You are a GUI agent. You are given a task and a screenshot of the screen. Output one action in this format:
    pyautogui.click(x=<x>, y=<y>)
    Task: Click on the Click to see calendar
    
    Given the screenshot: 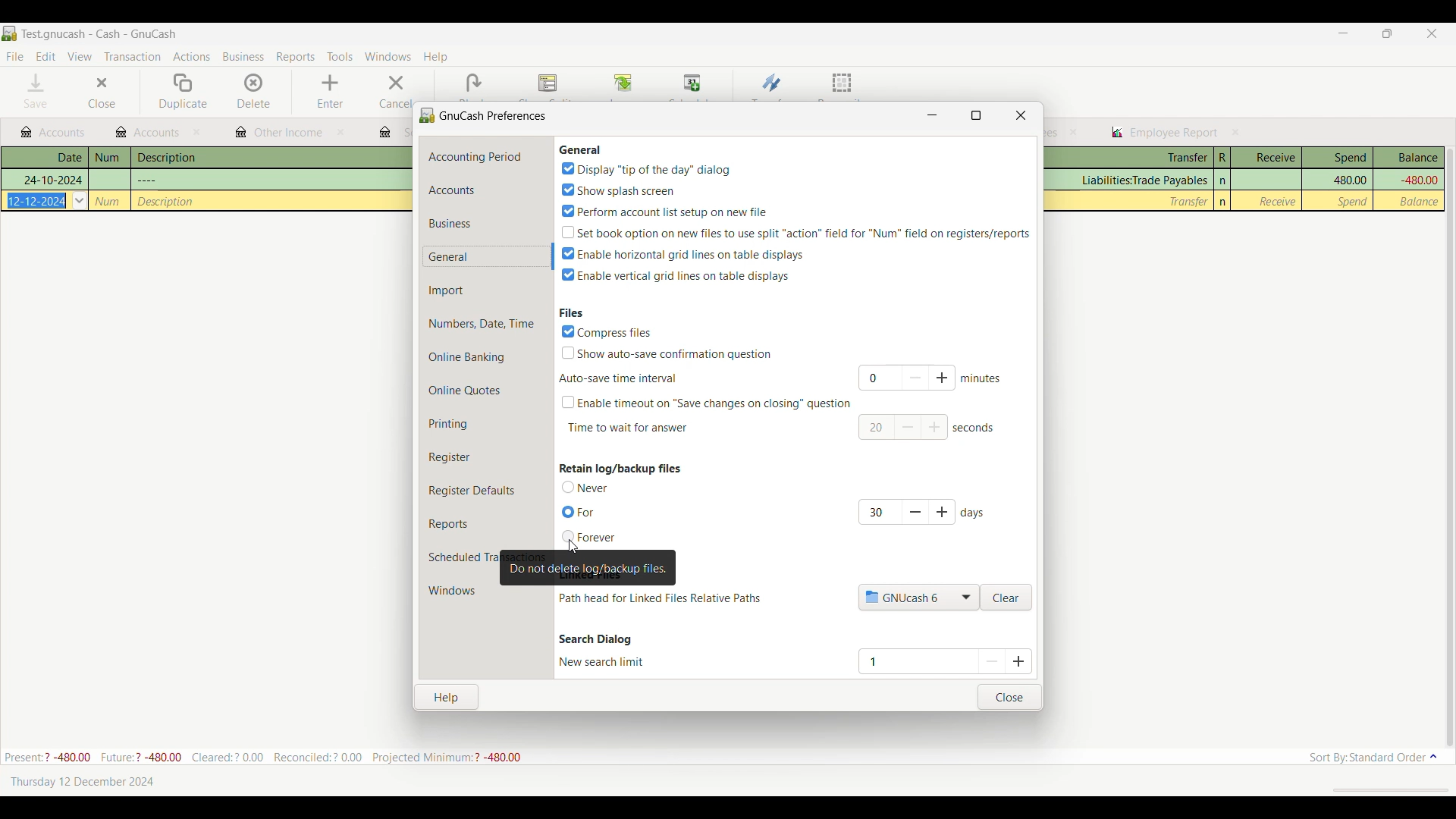 What is the action you would take?
    pyautogui.click(x=80, y=200)
    